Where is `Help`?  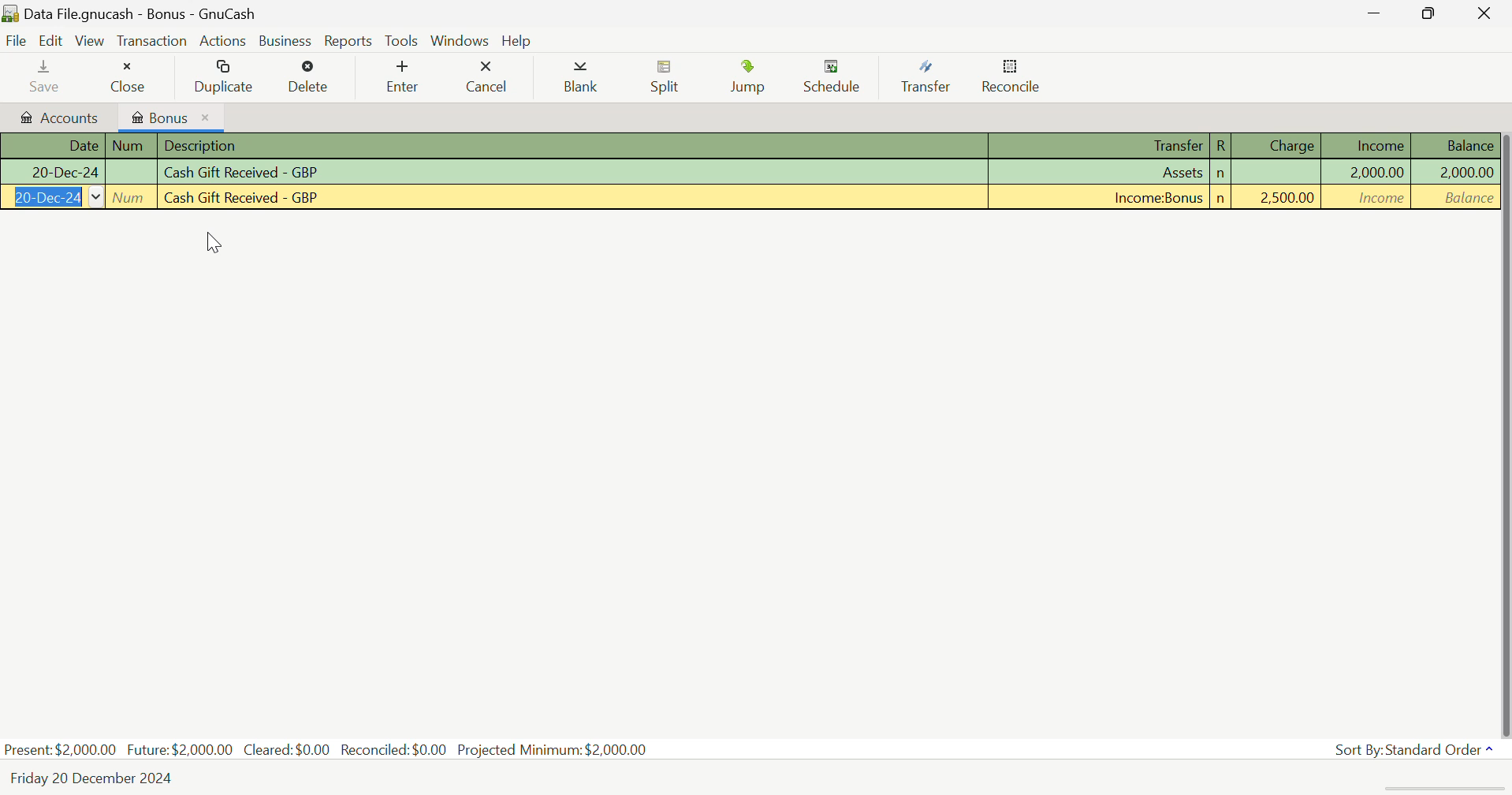 Help is located at coordinates (516, 39).